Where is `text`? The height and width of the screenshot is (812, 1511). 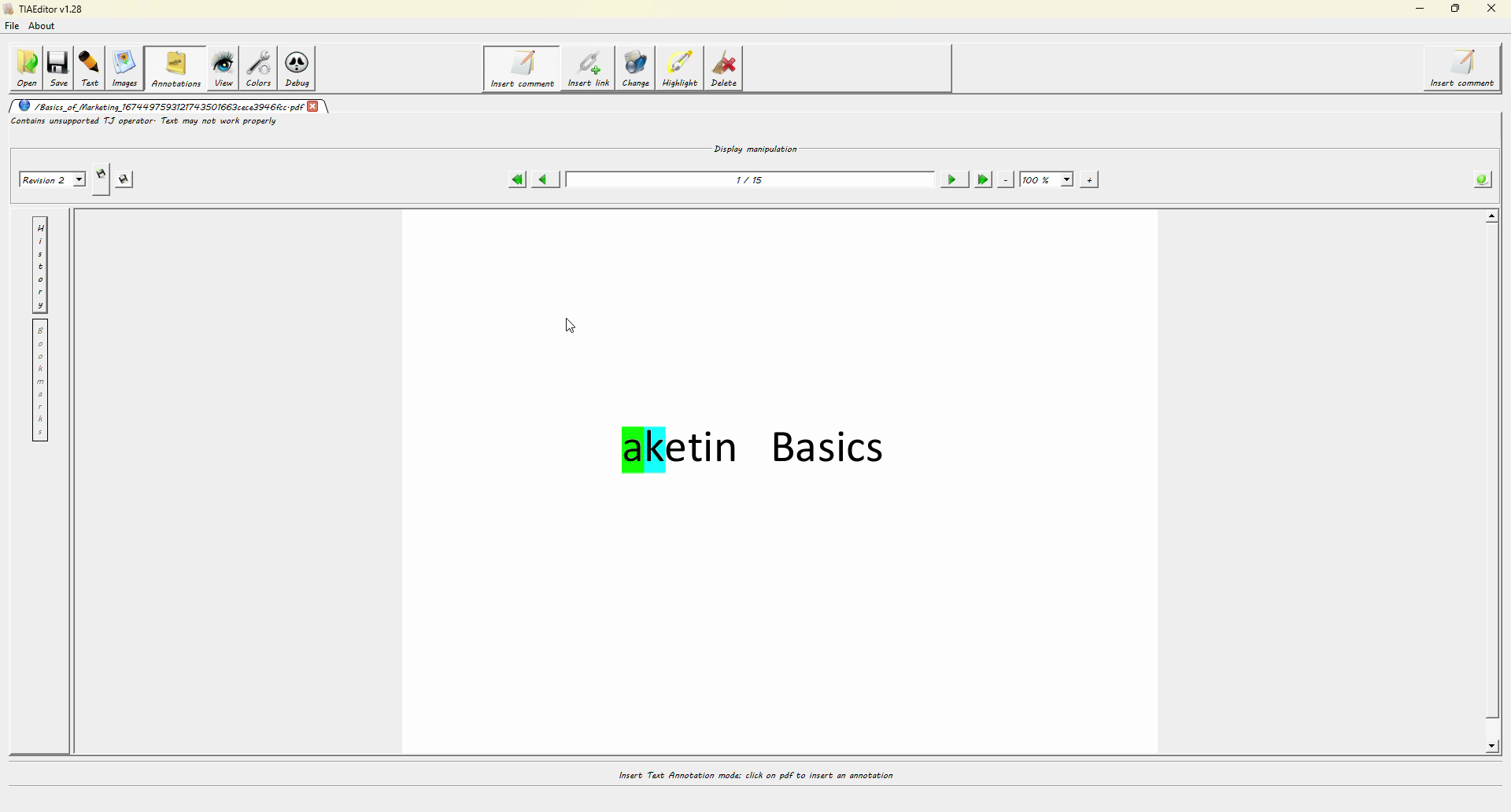
text is located at coordinates (93, 68).